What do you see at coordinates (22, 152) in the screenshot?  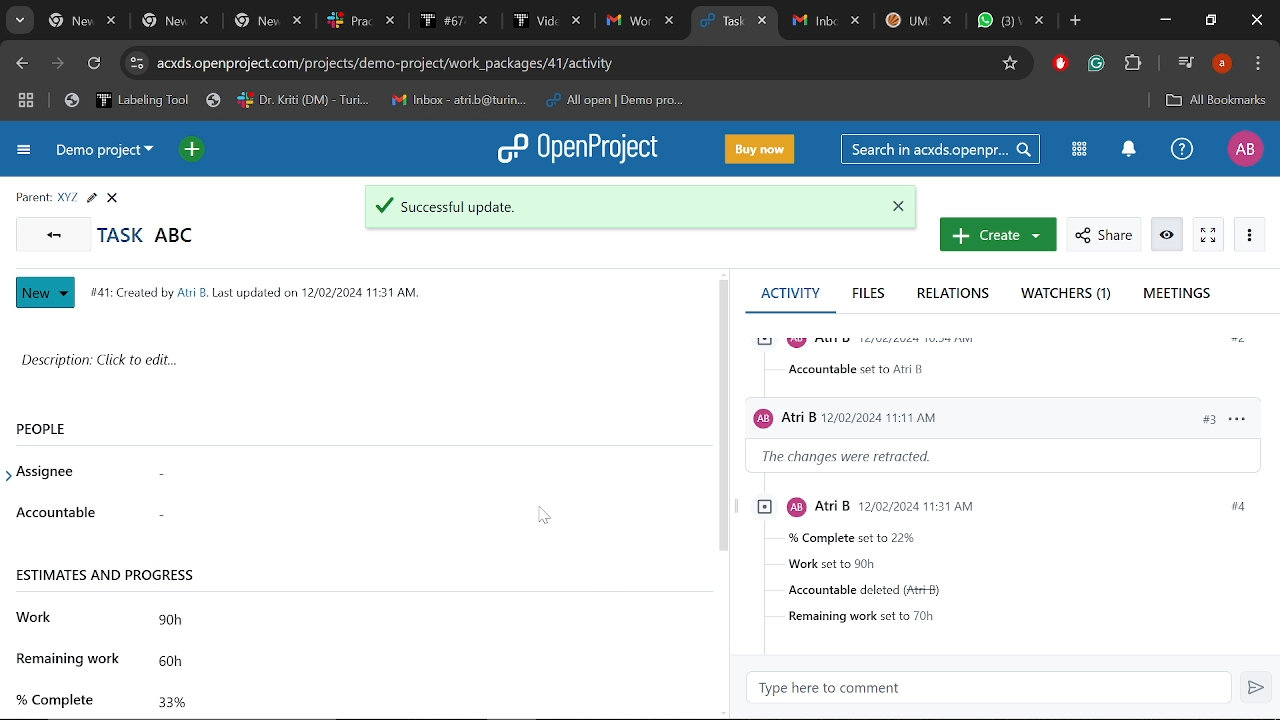 I see `Expand project menu` at bounding box center [22, 152].